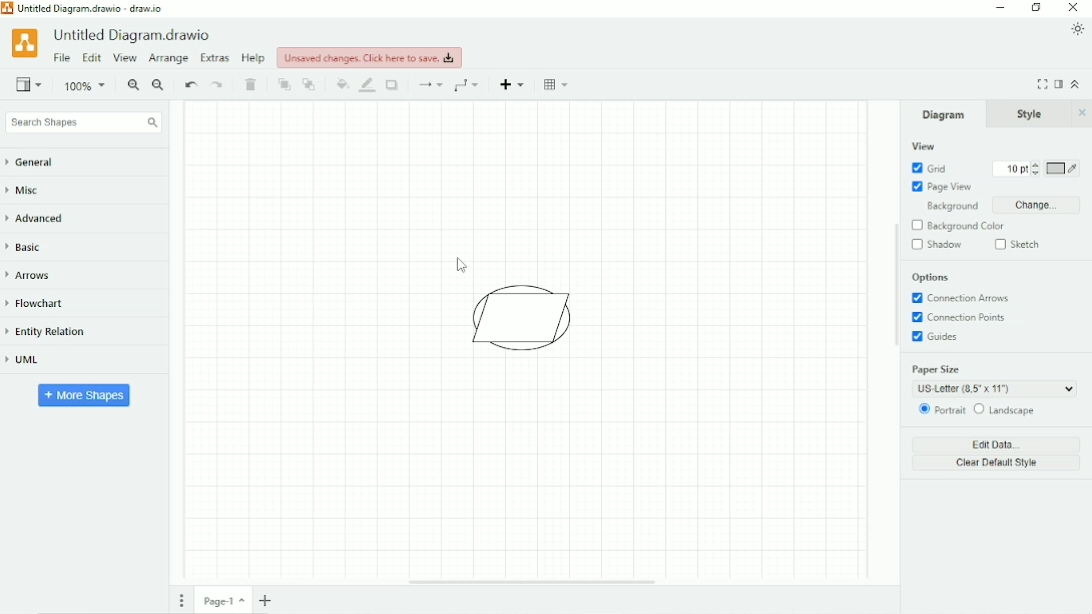 Image resolution: width=1092 pixels, height=614 pixels. Describe the element at coordinates (215, 57) in the screenshot. I see `Extras` at that location.